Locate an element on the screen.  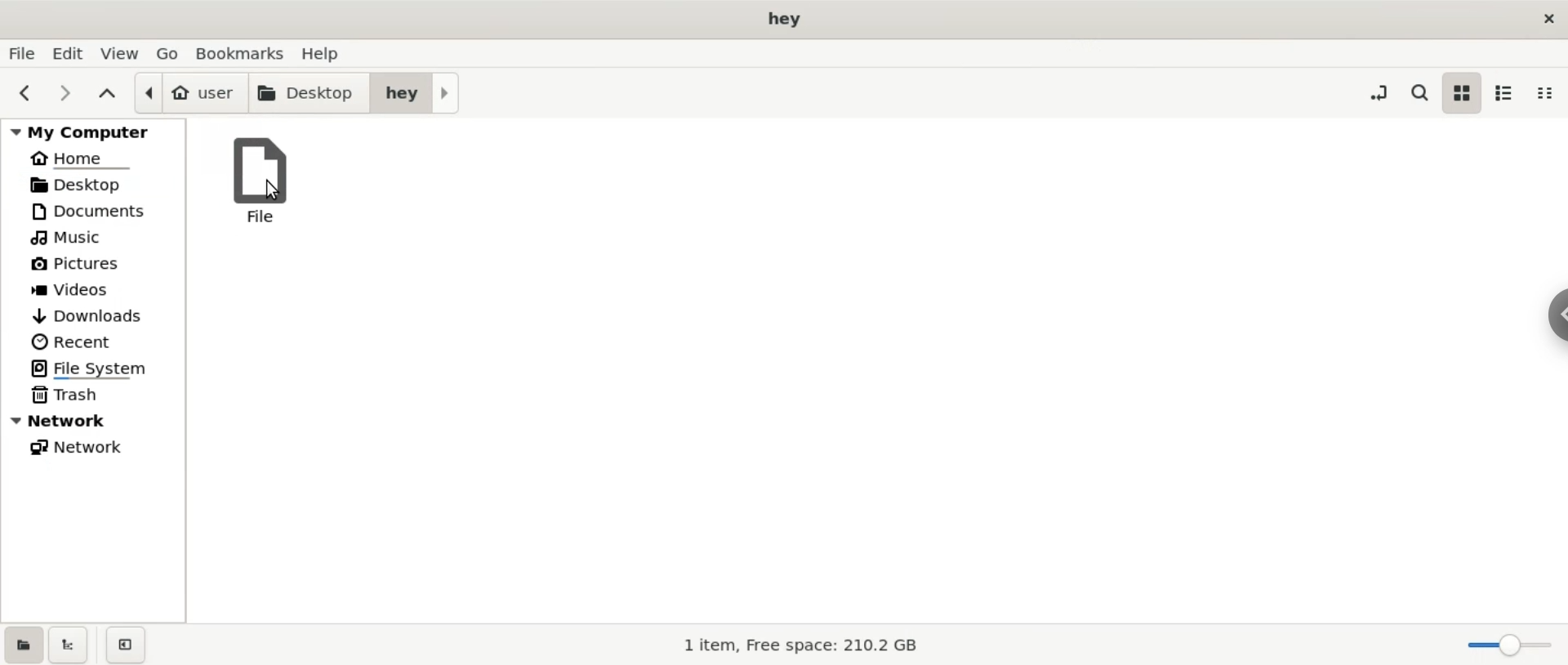
hey is located at coordinates (416, 92).